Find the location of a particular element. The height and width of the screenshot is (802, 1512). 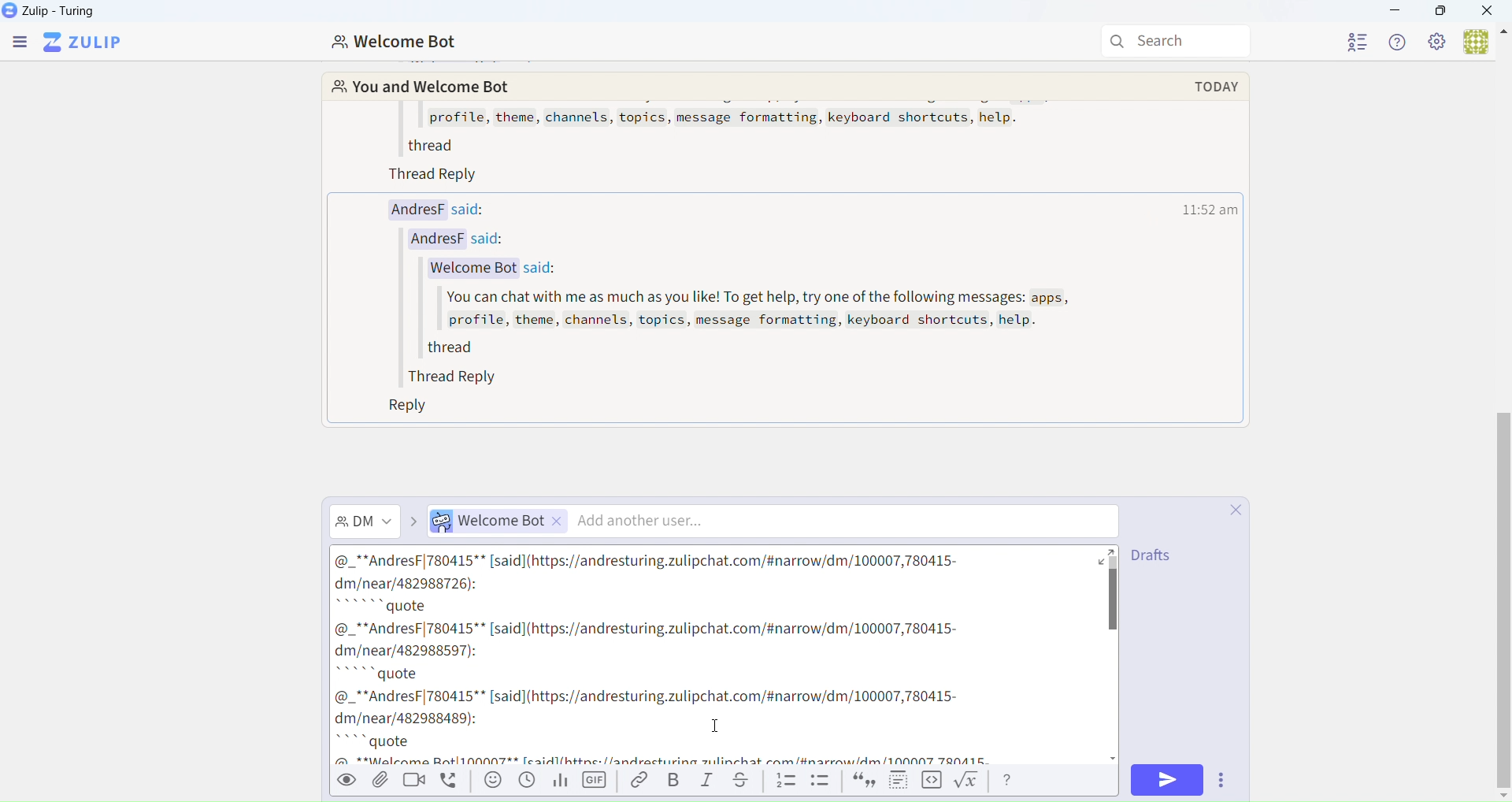

cursor is located at coordinates (722, 726).